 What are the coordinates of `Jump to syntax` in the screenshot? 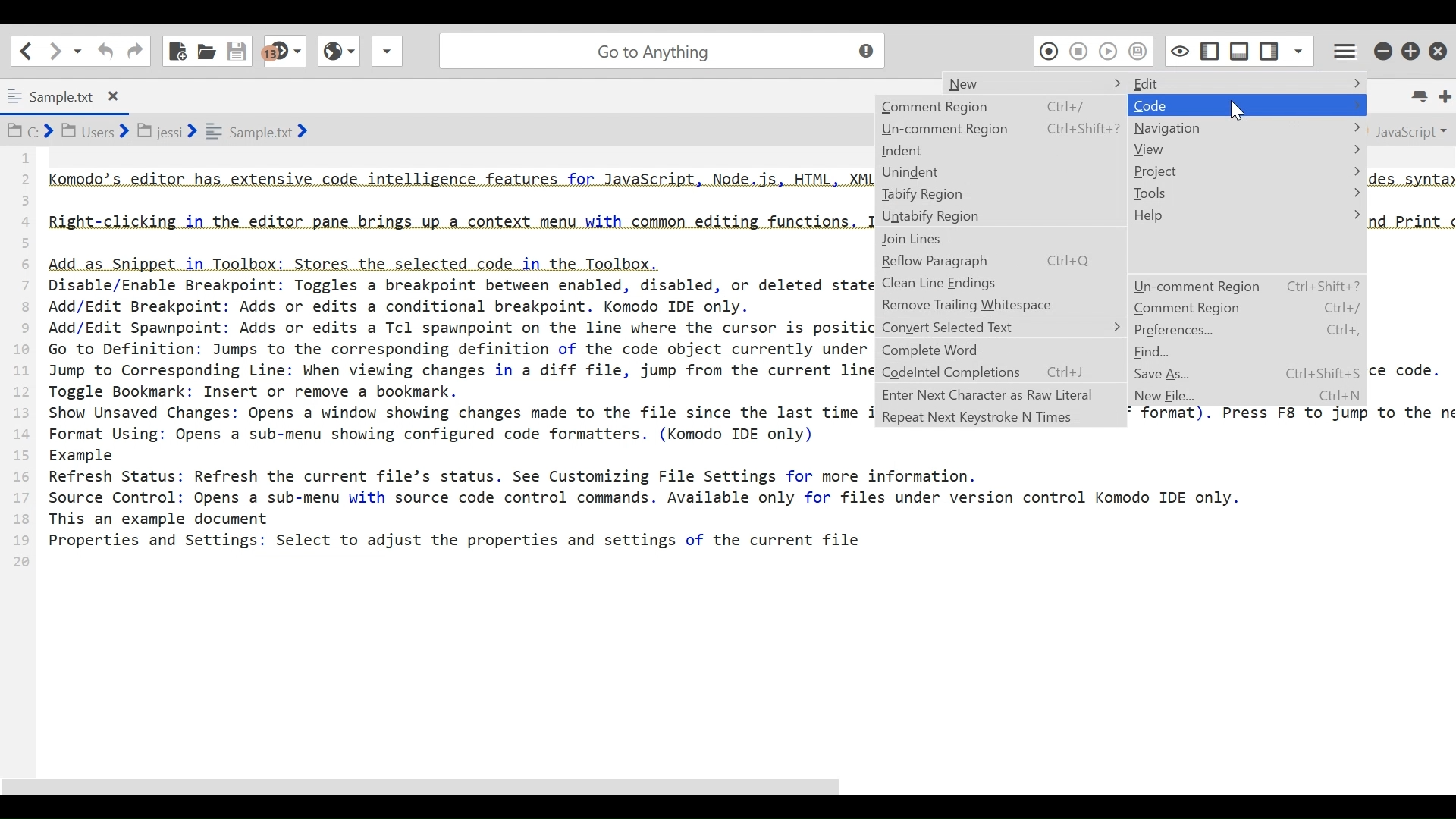 It's located at (286, 52).